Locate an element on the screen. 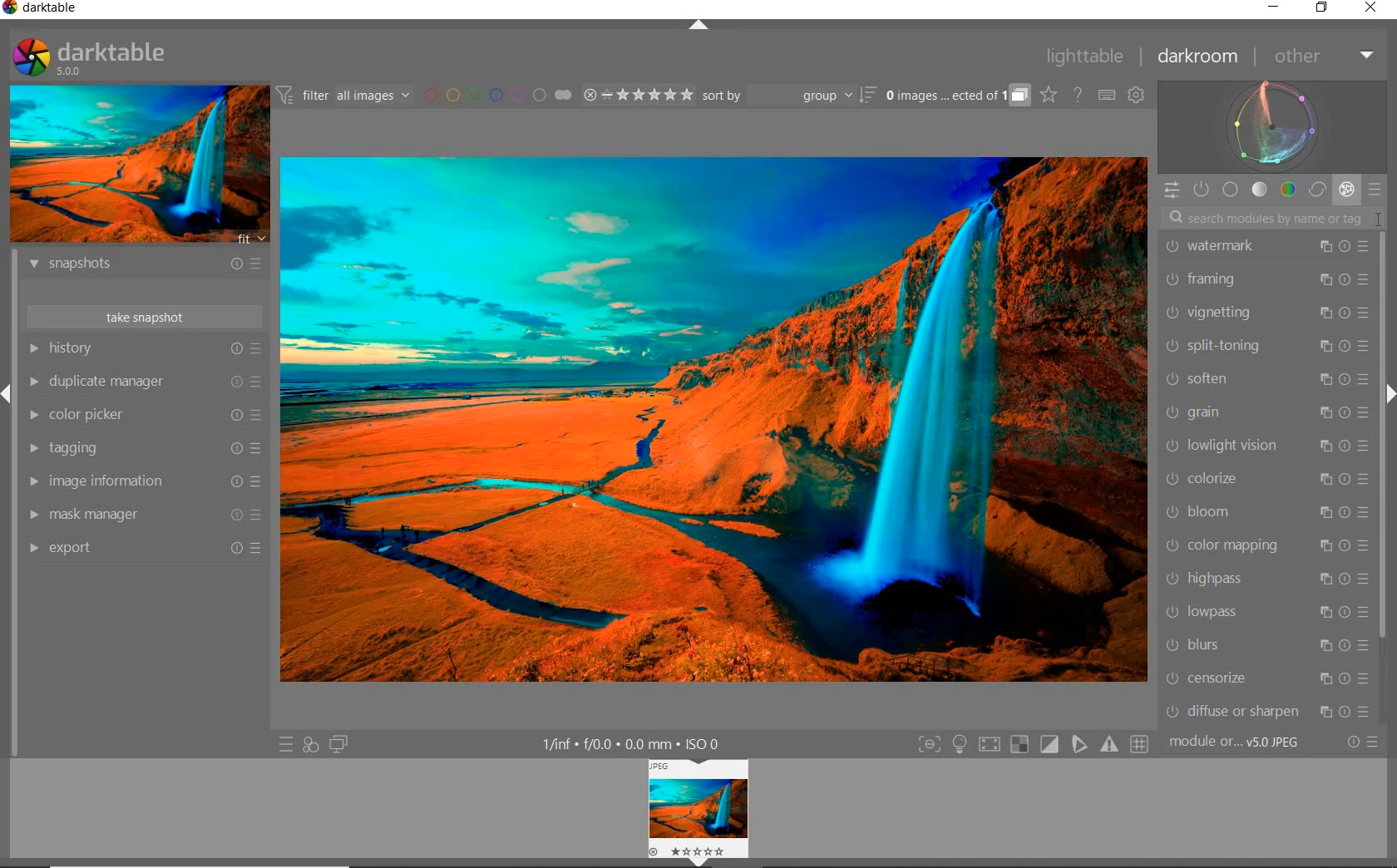  mask manager is located at coordinates (146, 515).